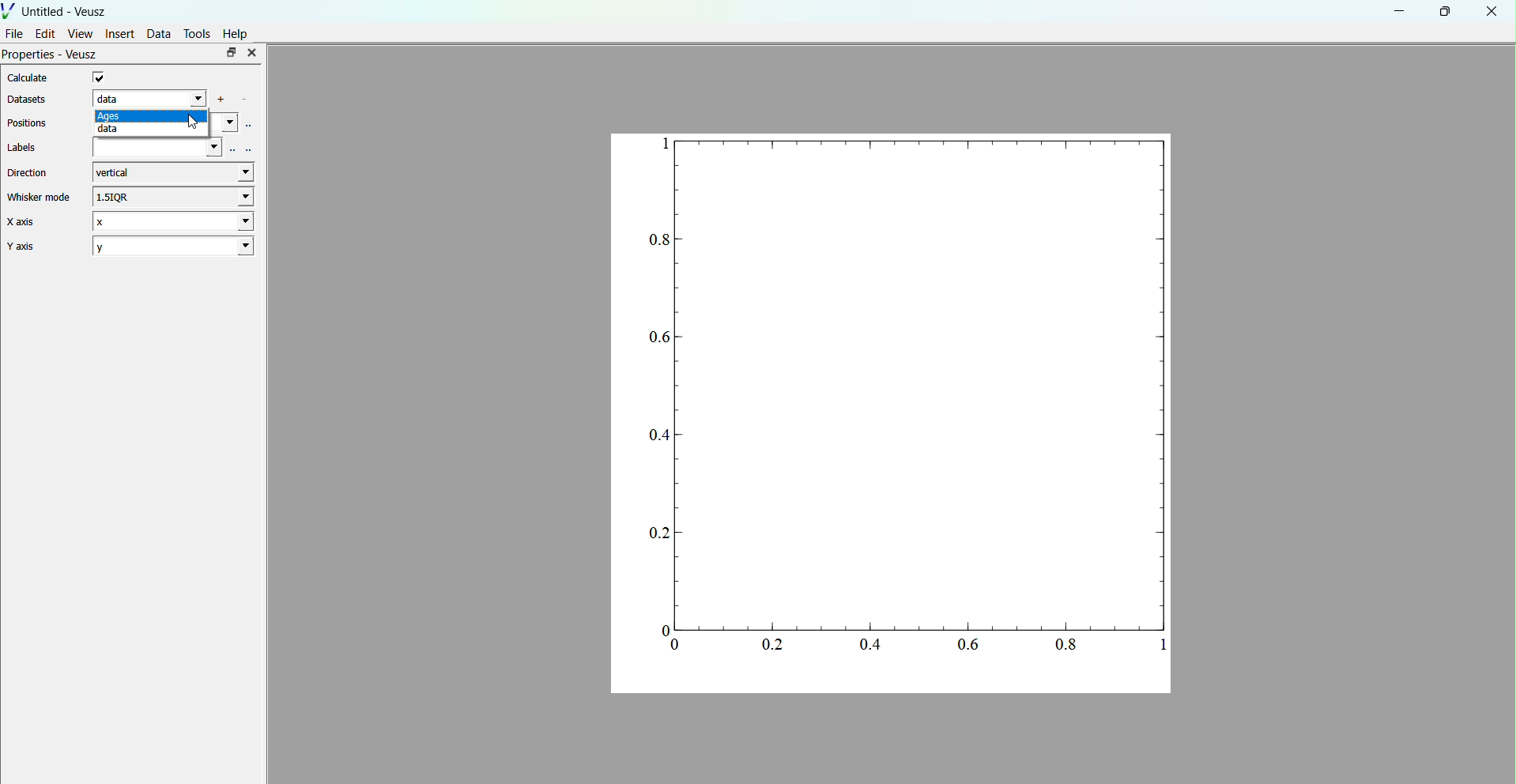  I want to click on ages, so click(151, 118).